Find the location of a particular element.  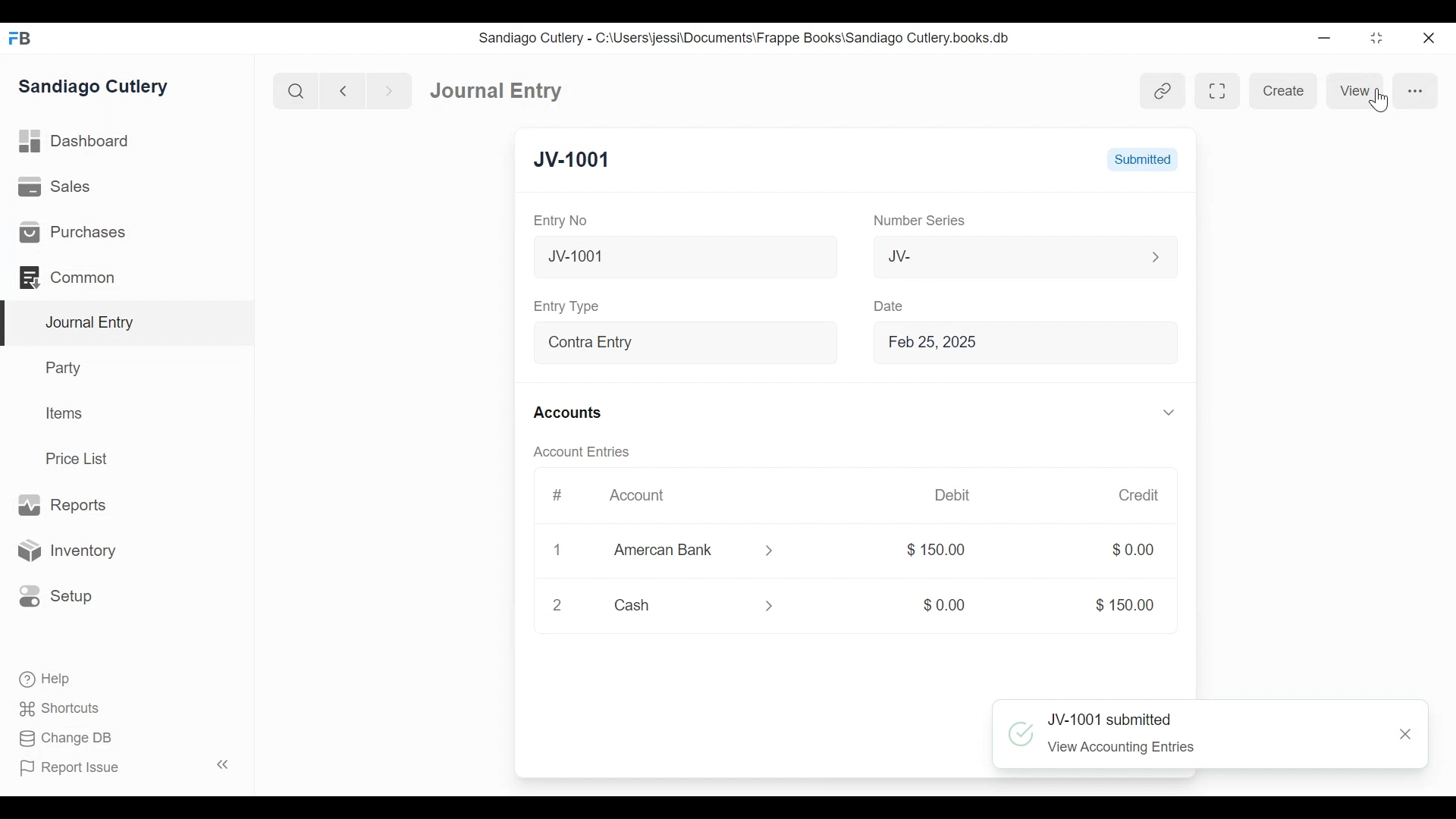

$0.00 is located at coordinates (938, 605).